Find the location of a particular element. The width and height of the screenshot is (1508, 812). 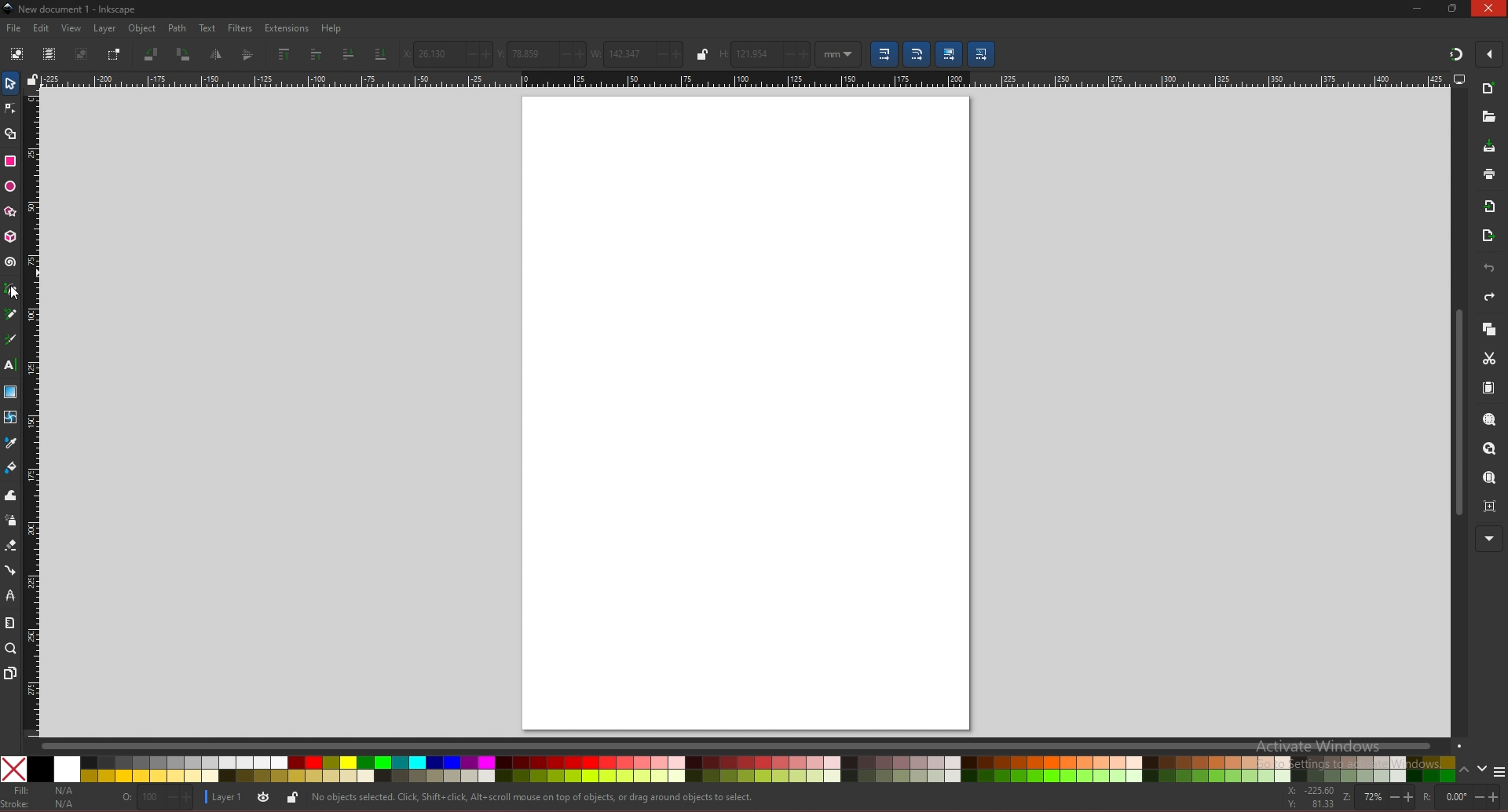

minimize is located at coordinates (1418, 8).